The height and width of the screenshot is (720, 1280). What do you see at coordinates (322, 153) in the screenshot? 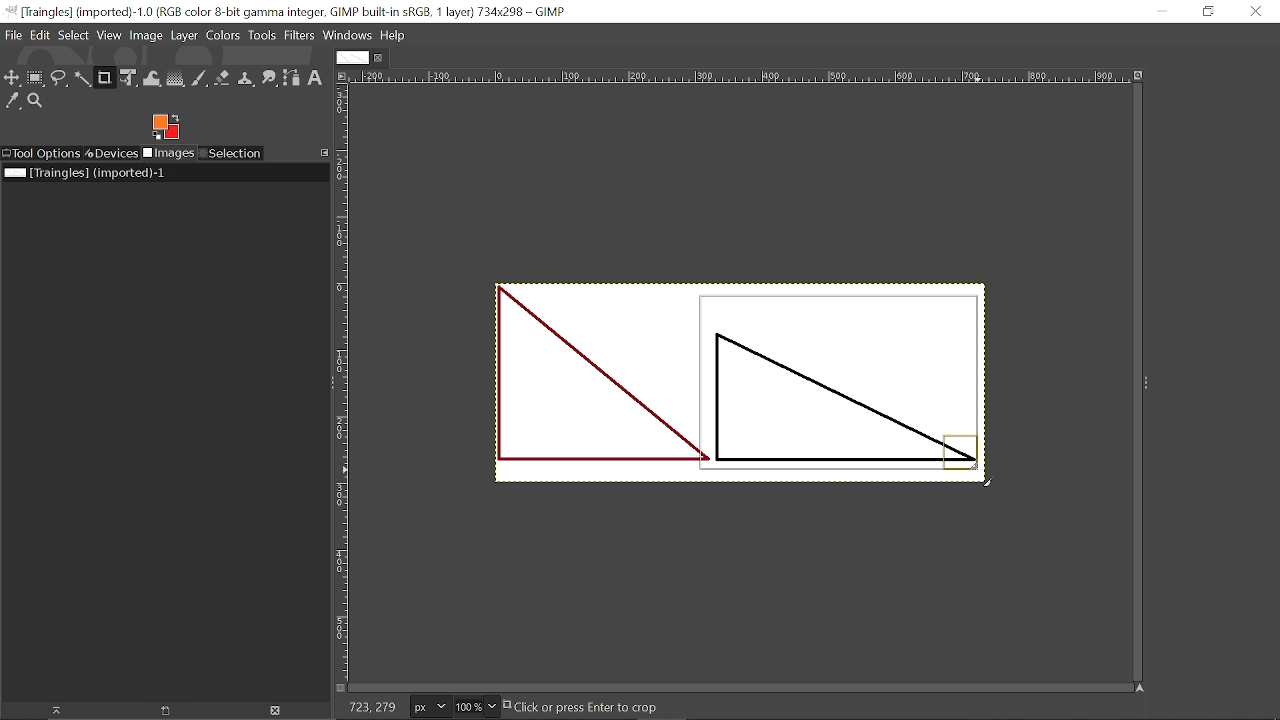
I see `Configure this tab` at bounding box center [322, 153].